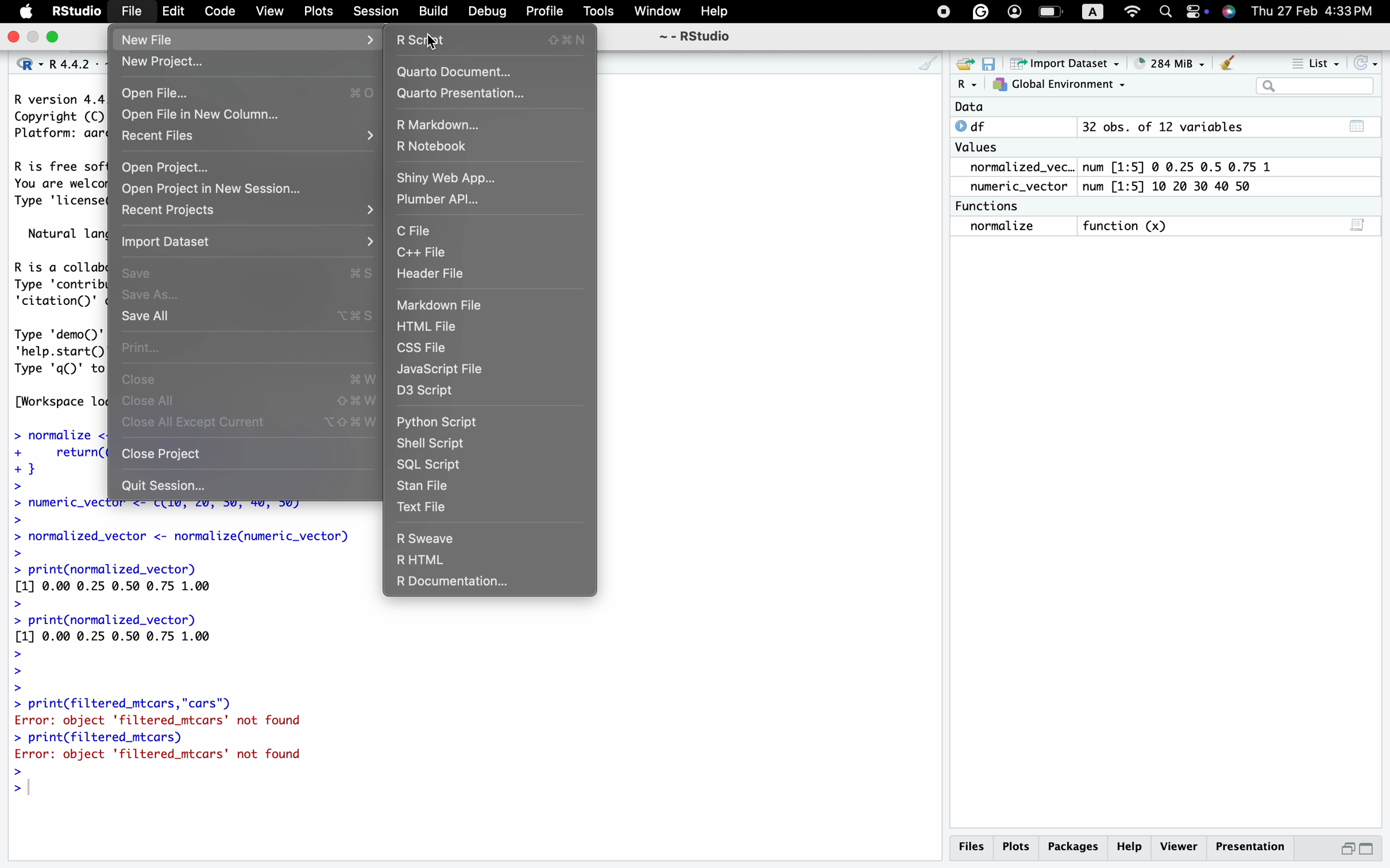  Describe the element at coordinates (488, 11) in the screenshot. I see `Debug` at that location.